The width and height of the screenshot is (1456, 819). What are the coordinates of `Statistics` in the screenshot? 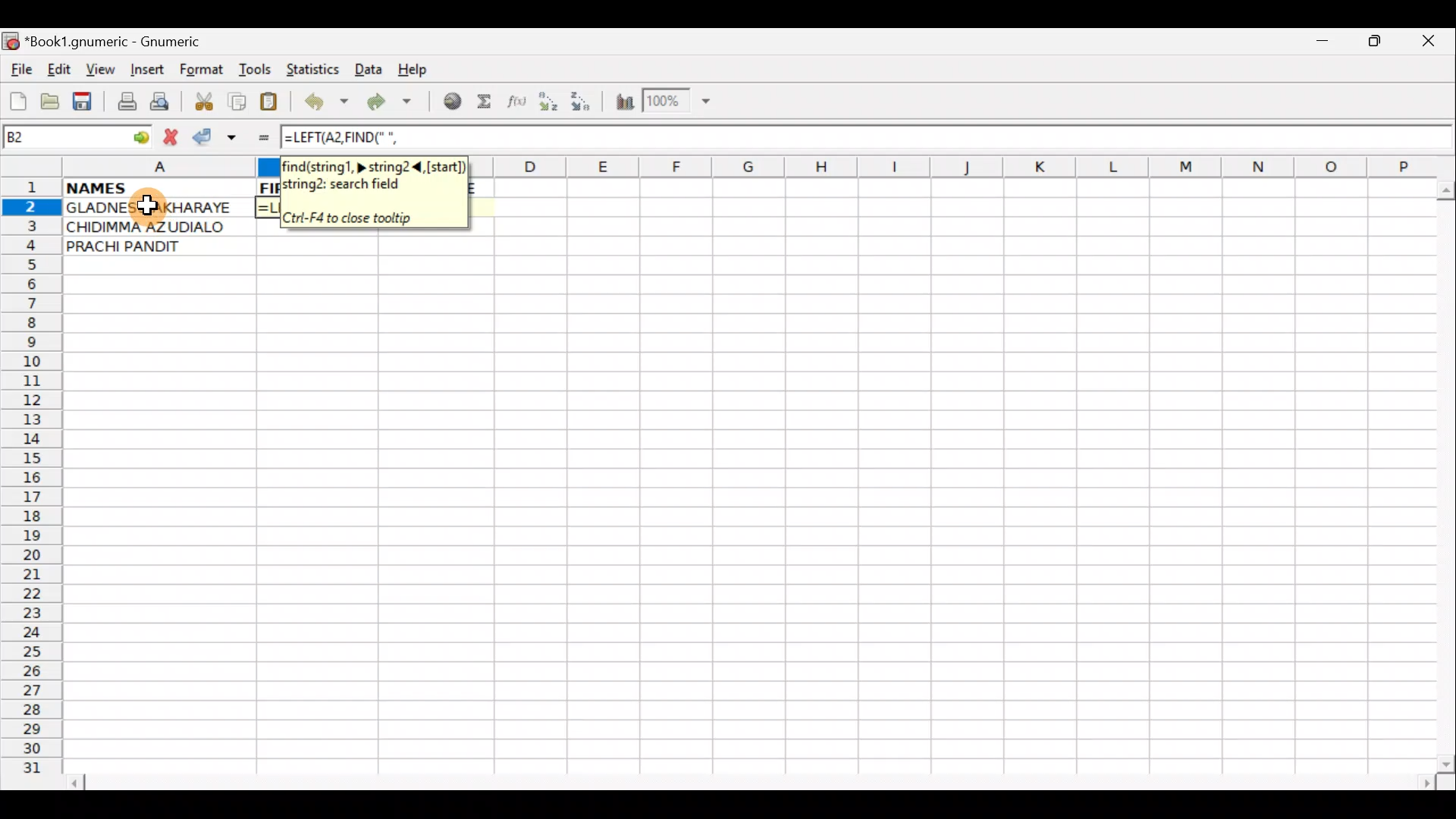 It's located at (317, 68).